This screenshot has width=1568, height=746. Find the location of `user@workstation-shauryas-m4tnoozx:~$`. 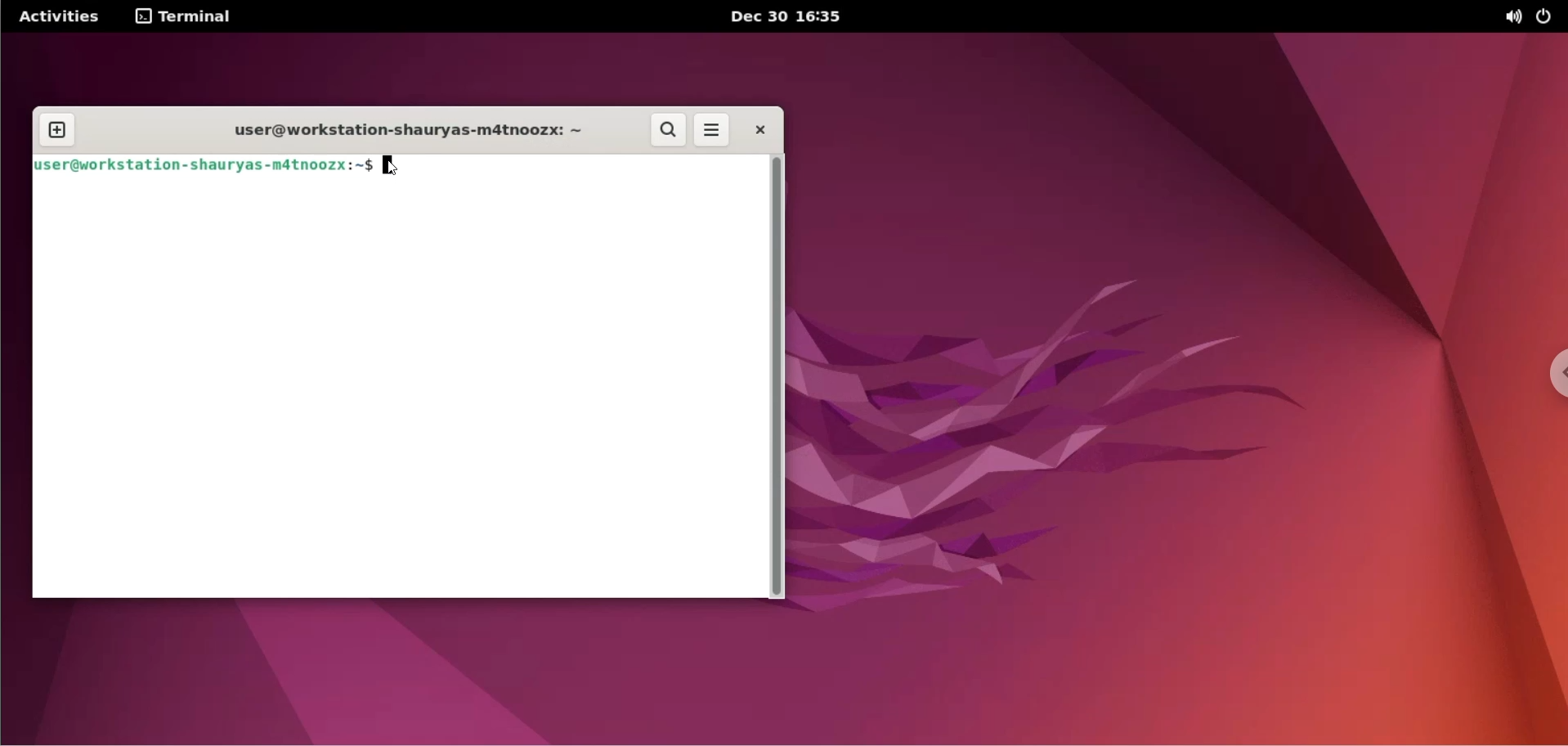

user@workstation-shauryas-m4tnoozx:~$ is located at coordinates (204, 169).